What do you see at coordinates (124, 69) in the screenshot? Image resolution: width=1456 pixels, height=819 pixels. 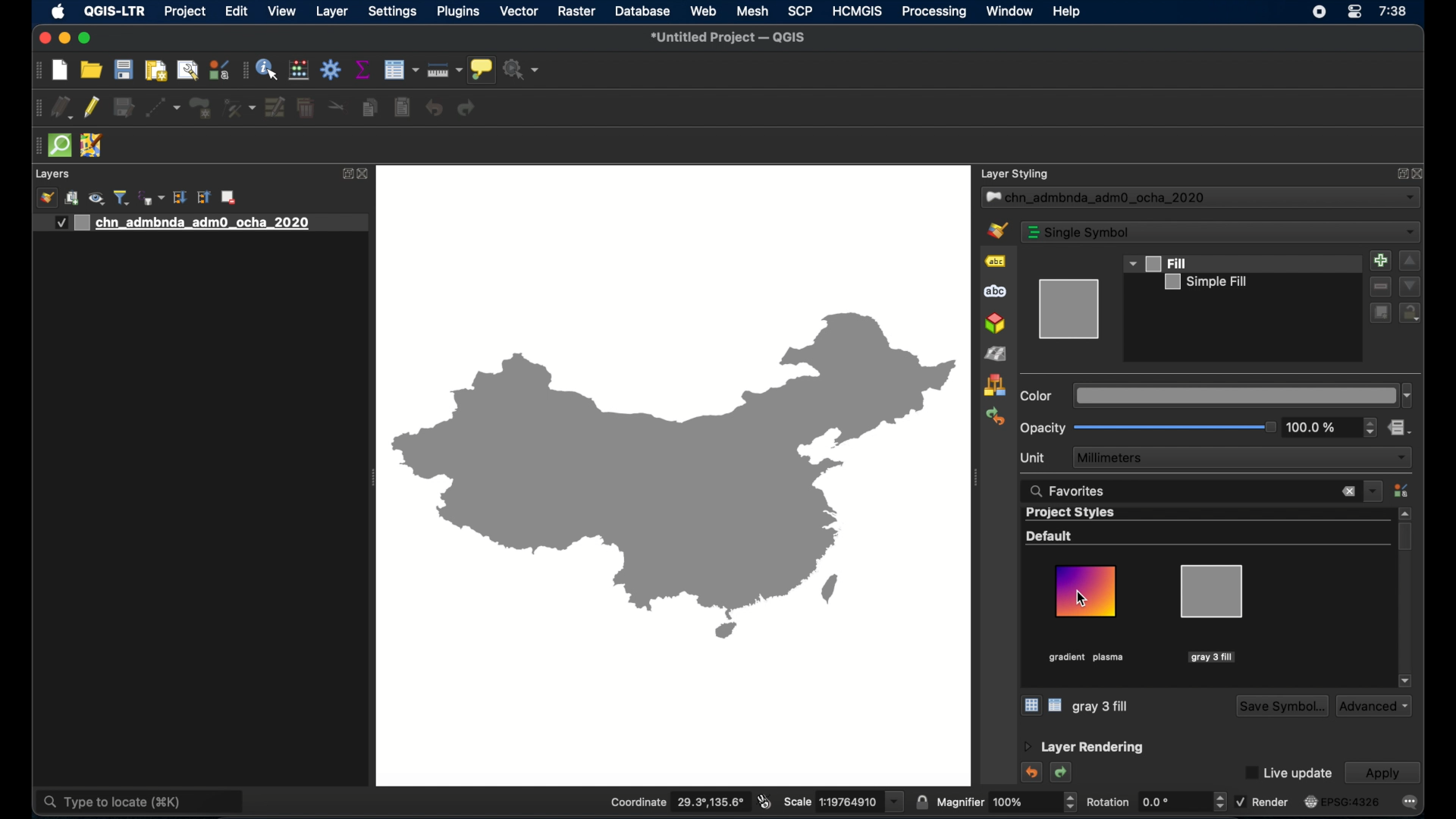 I see `save` at bounding box center [124, 69].